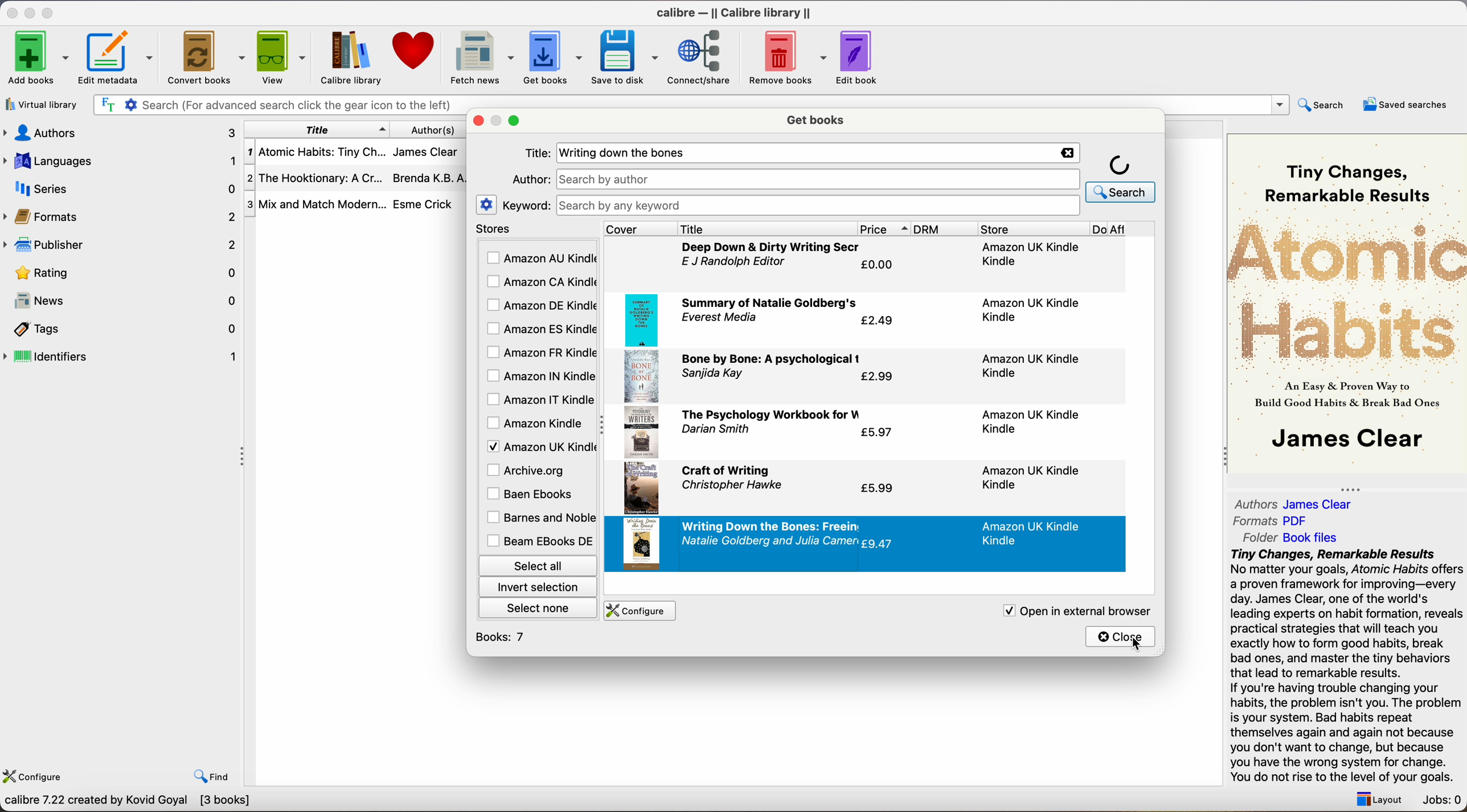 The height and width of the screenshot is (812, 1467). Describe the element at coordinates (773, 247) in the screenshot. I see `deep down & Dirty writing Secr` at that location.